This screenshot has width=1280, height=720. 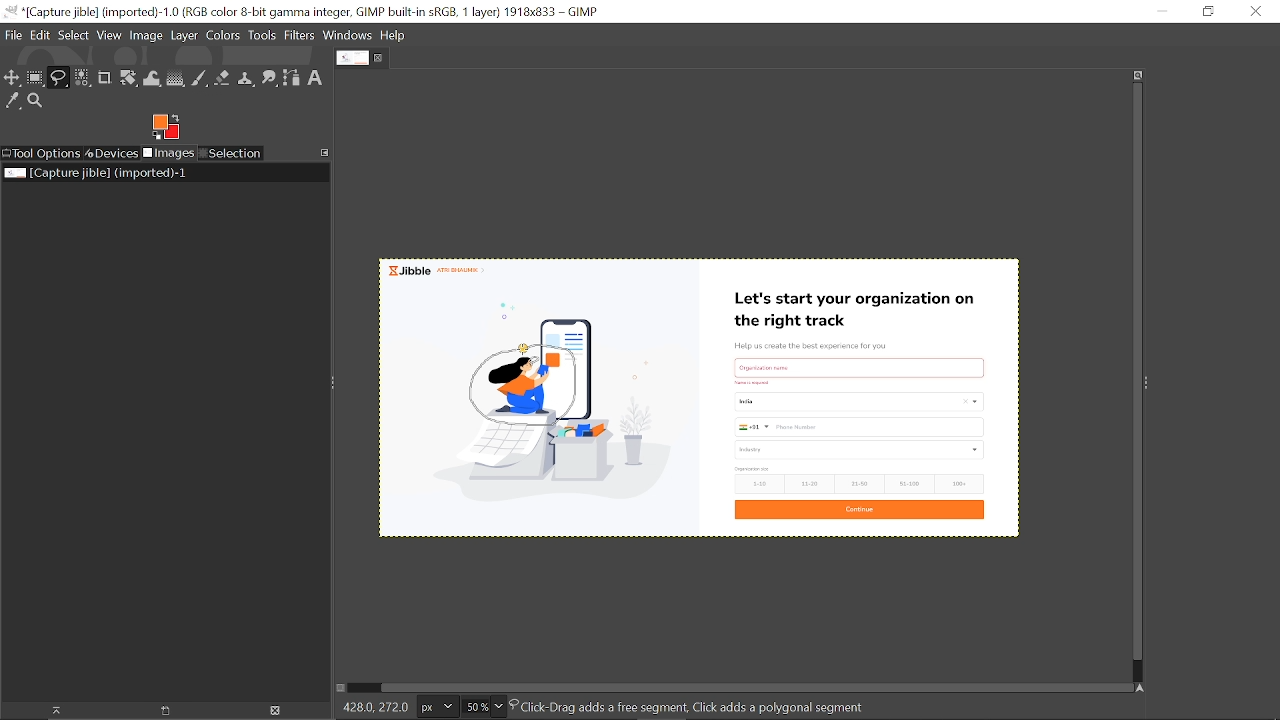 What do you see at coordinates (499, 706) in the screenshot?
I see `Zoom options` at bounding box center [499, 706].